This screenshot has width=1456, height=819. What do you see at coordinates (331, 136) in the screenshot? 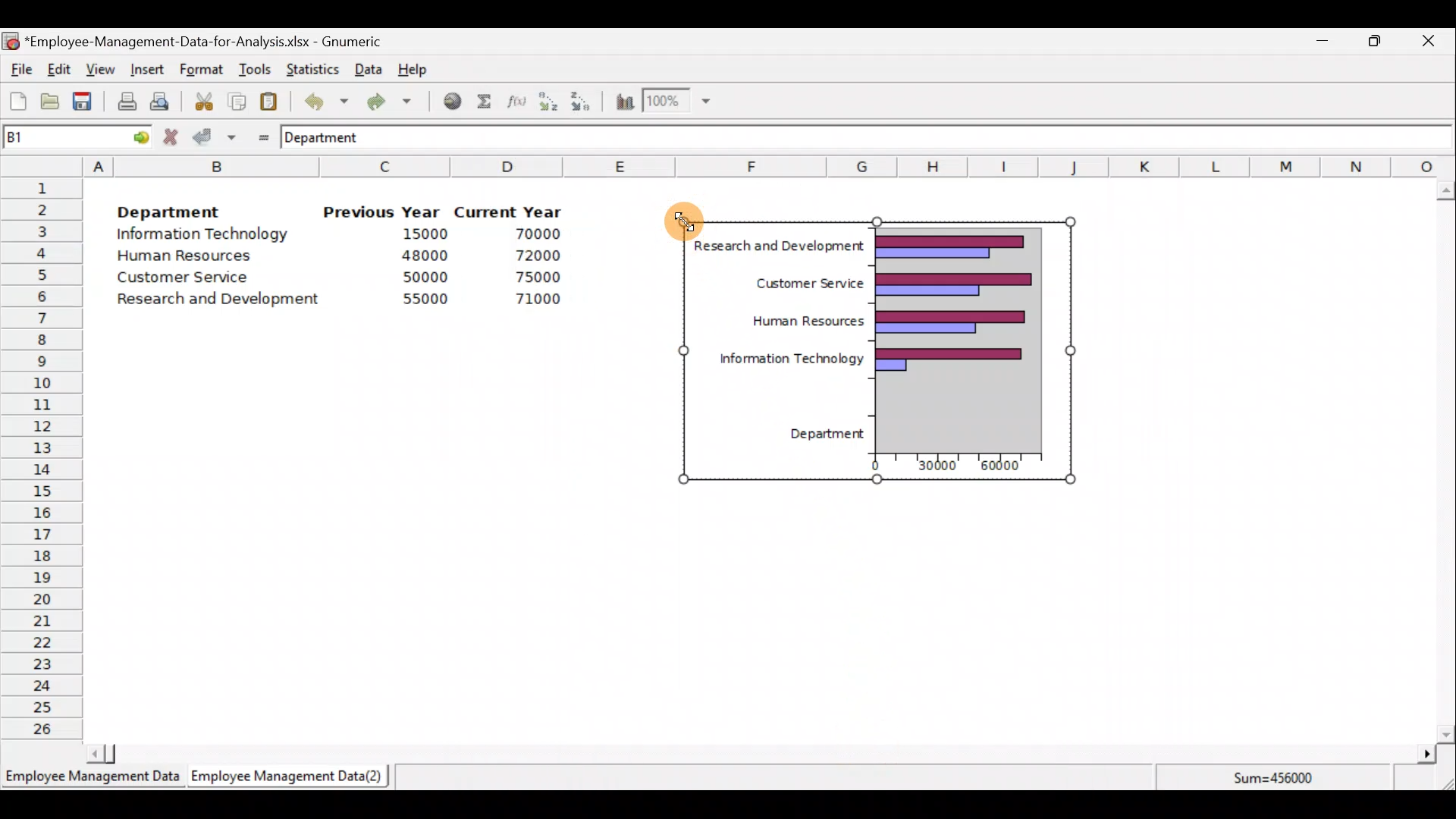
I see `Department` at bounding box center [331, 136].